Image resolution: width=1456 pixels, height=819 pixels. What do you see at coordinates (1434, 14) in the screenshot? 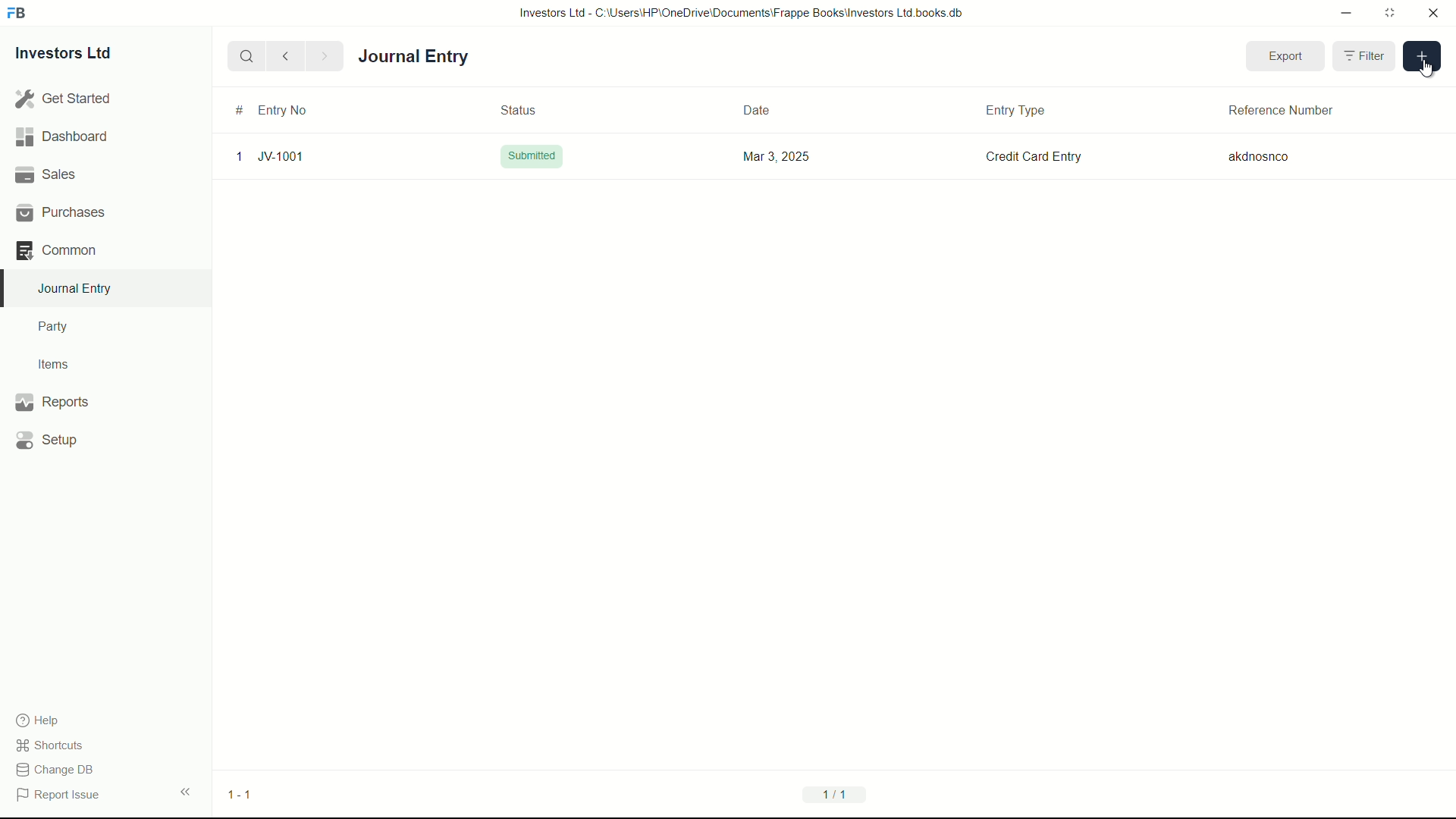
I see `close` at bounding box center [1434, 14].